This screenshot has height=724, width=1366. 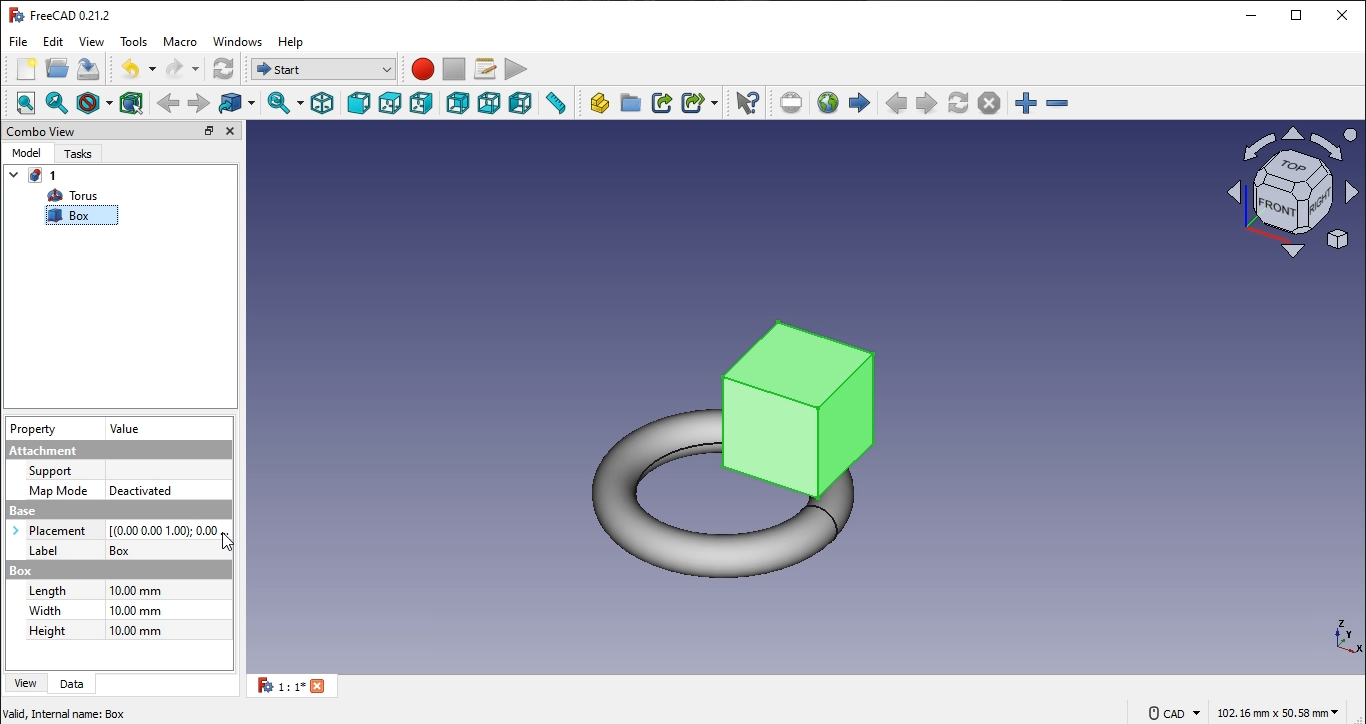 I want to click on start page, so click(x=860, y=102).